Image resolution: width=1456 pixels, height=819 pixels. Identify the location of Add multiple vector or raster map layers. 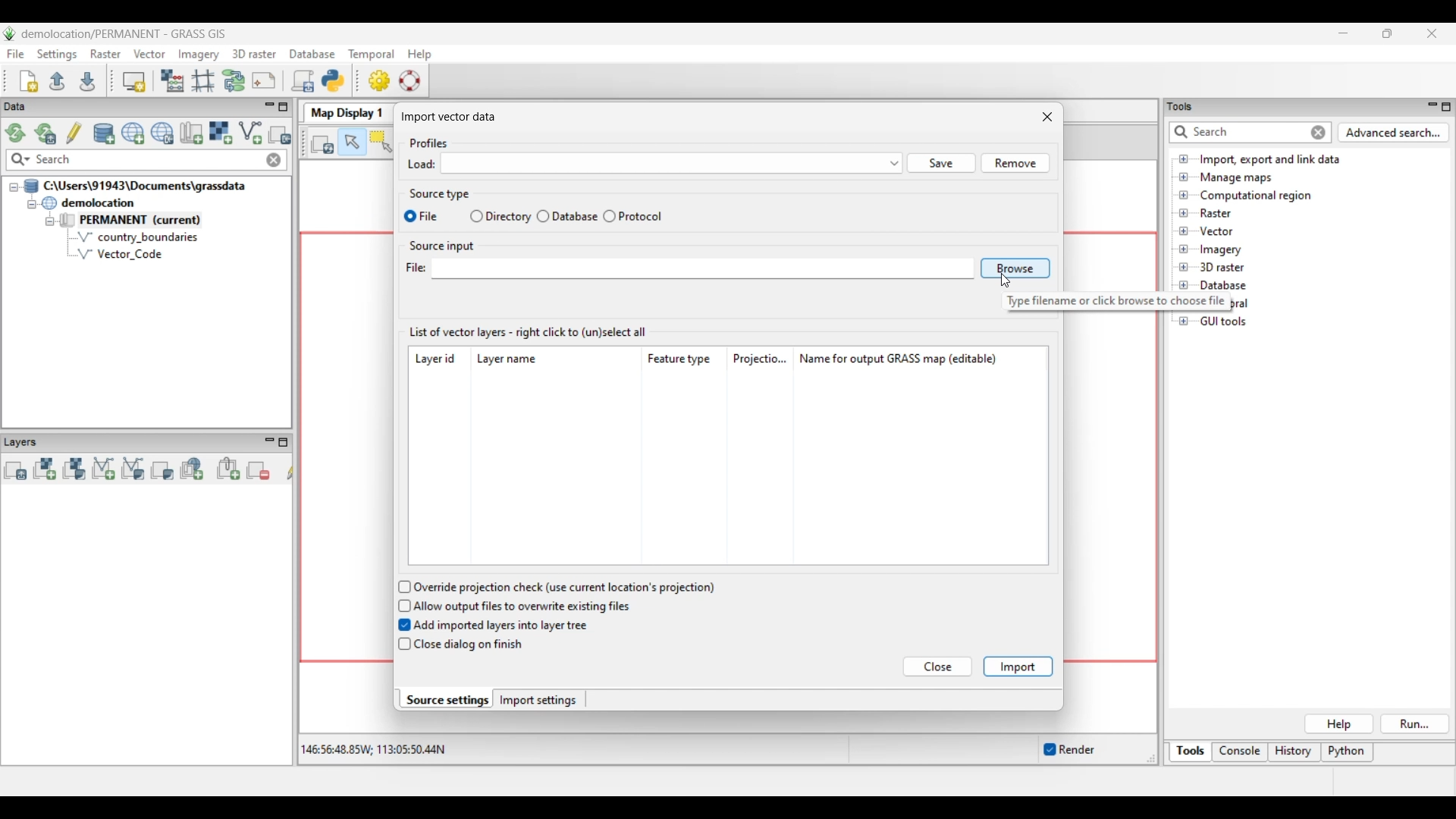
(15, 470).